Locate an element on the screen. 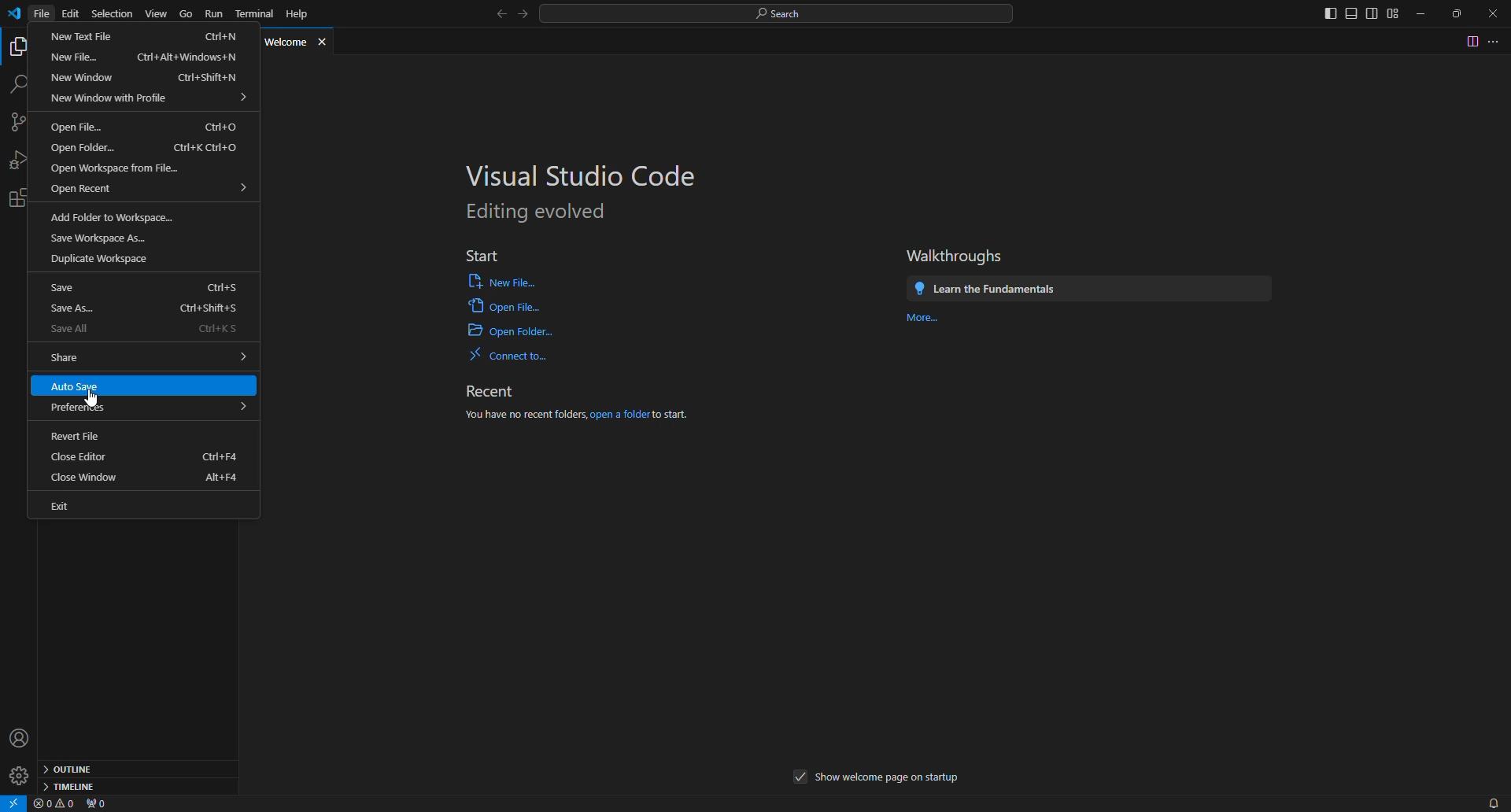  run is located at coordinates (215, 14).